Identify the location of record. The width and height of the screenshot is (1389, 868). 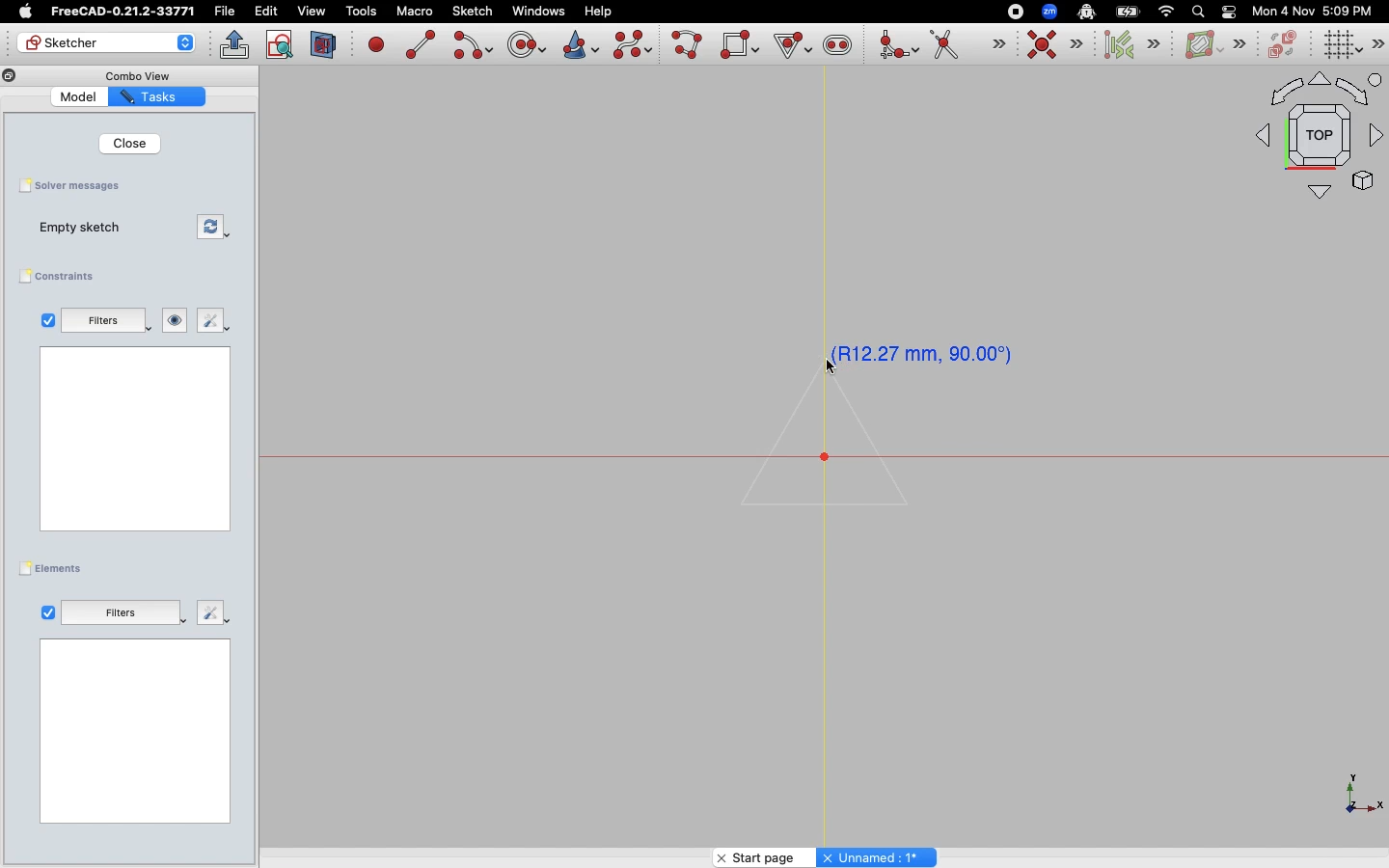
(1011, 11).